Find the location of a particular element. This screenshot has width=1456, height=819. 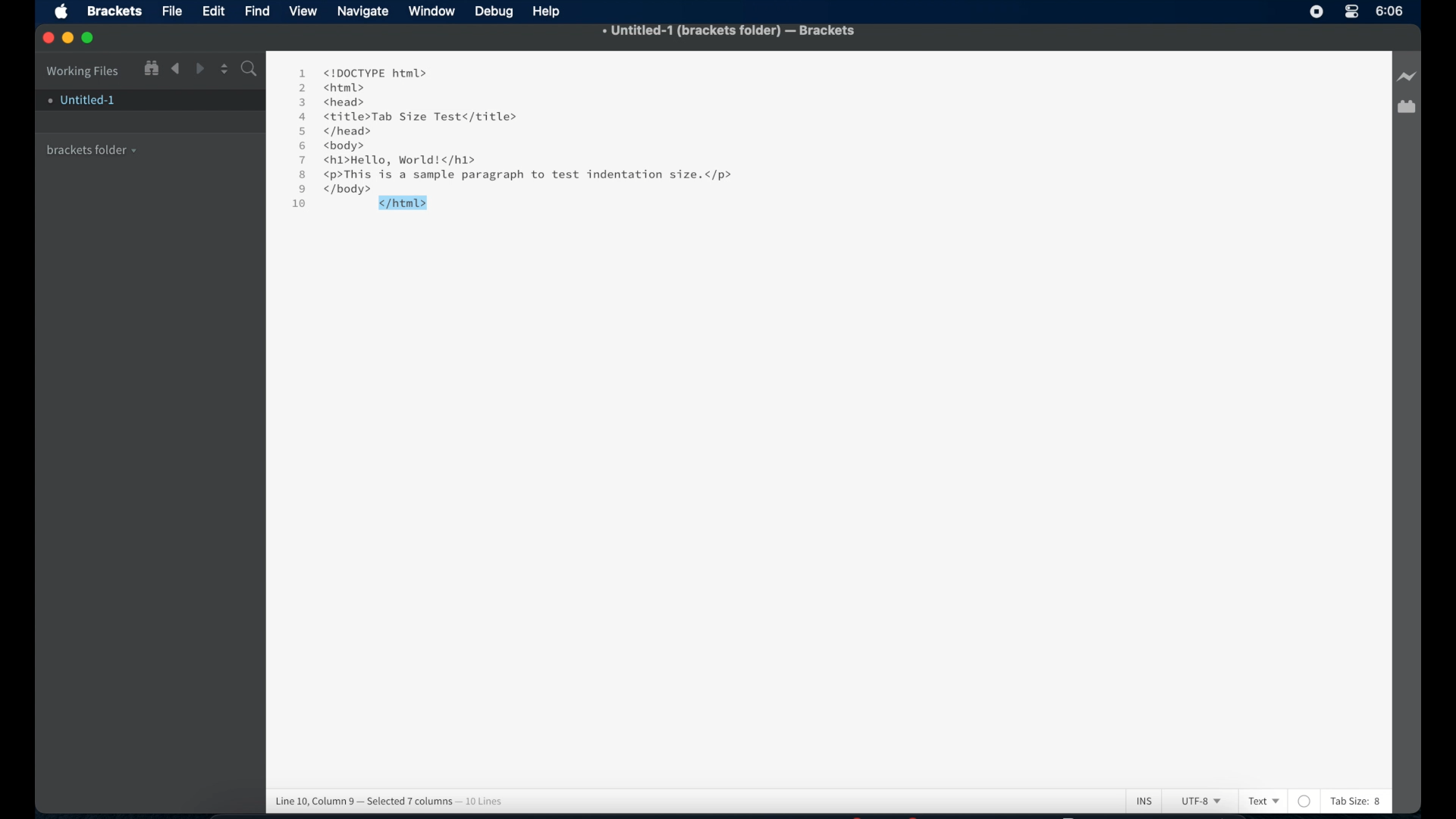

Close is located at coordinates (49, 39).